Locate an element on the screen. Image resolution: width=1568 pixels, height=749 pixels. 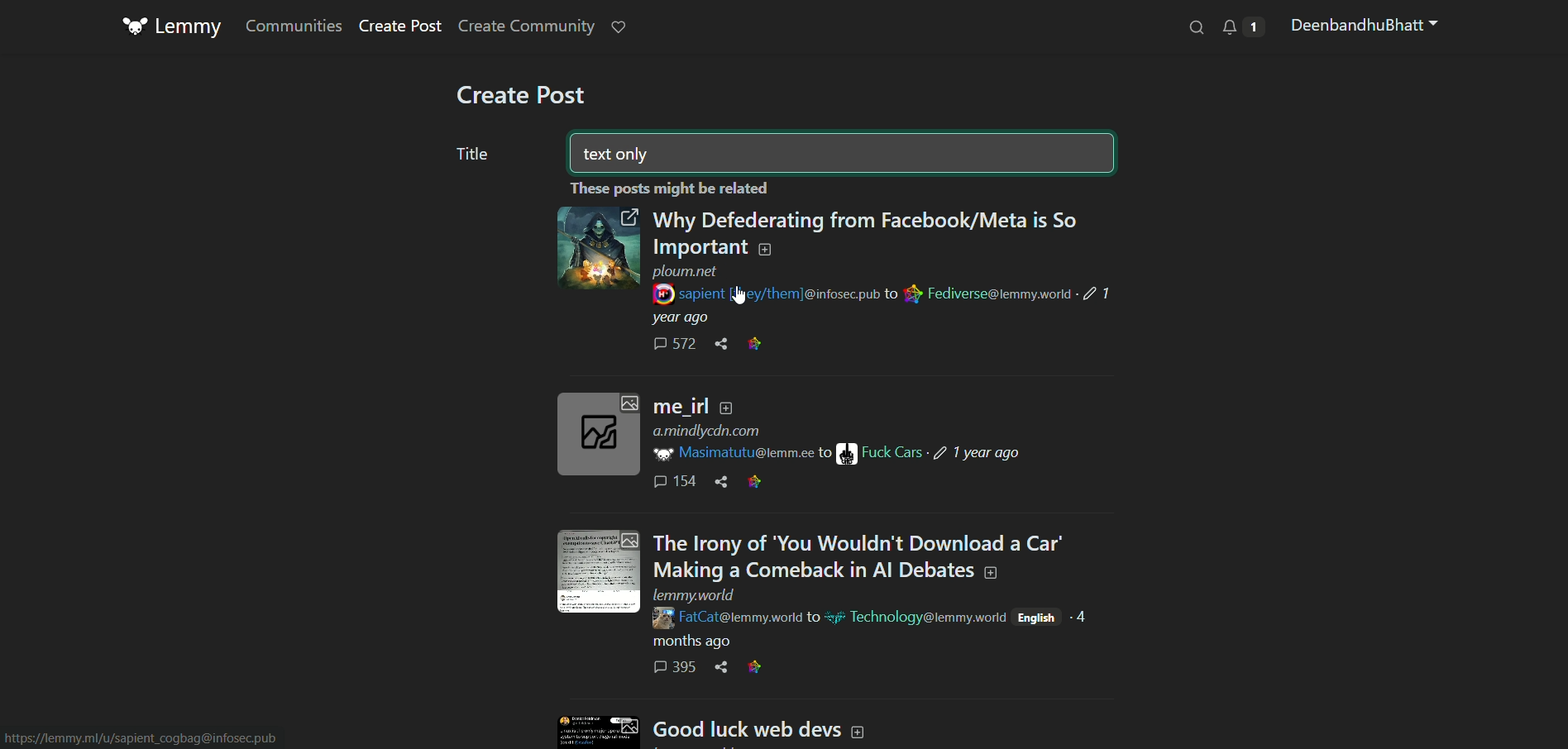
Cursor is located at coordinates (739, 295).